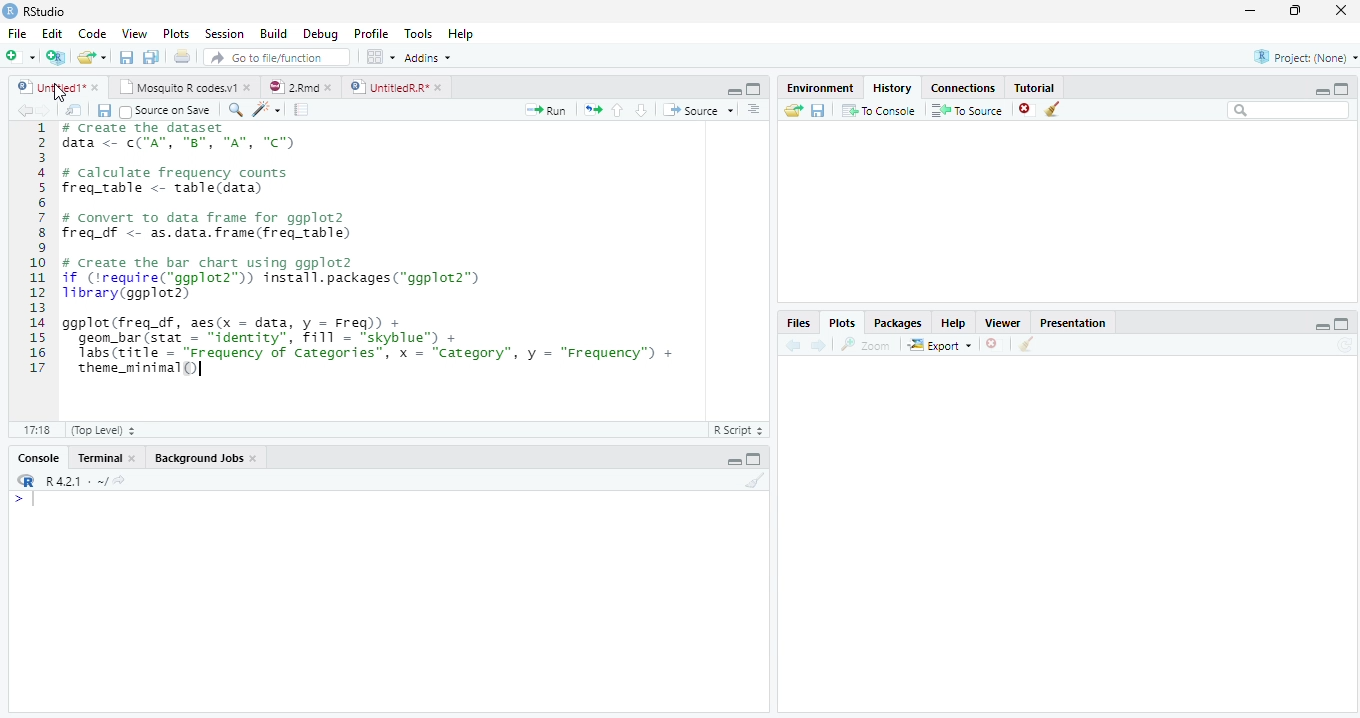 This screenshot has height=718, width=1360. Describe the element at coordinates (1052, 108) in the screenshot. I see `Clear Console` at that location.